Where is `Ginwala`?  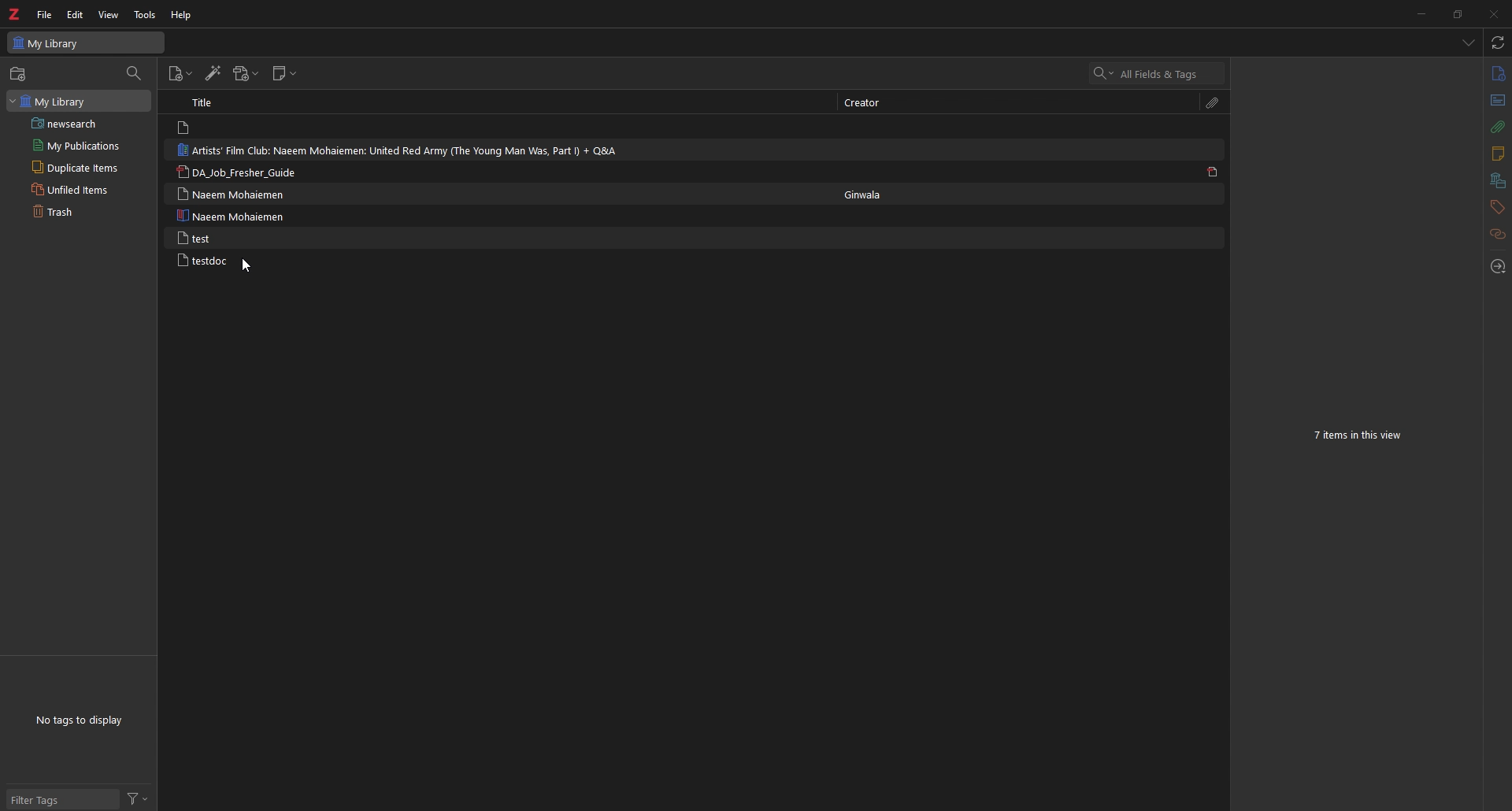
Ginwala is located at coordinates (864, 194).